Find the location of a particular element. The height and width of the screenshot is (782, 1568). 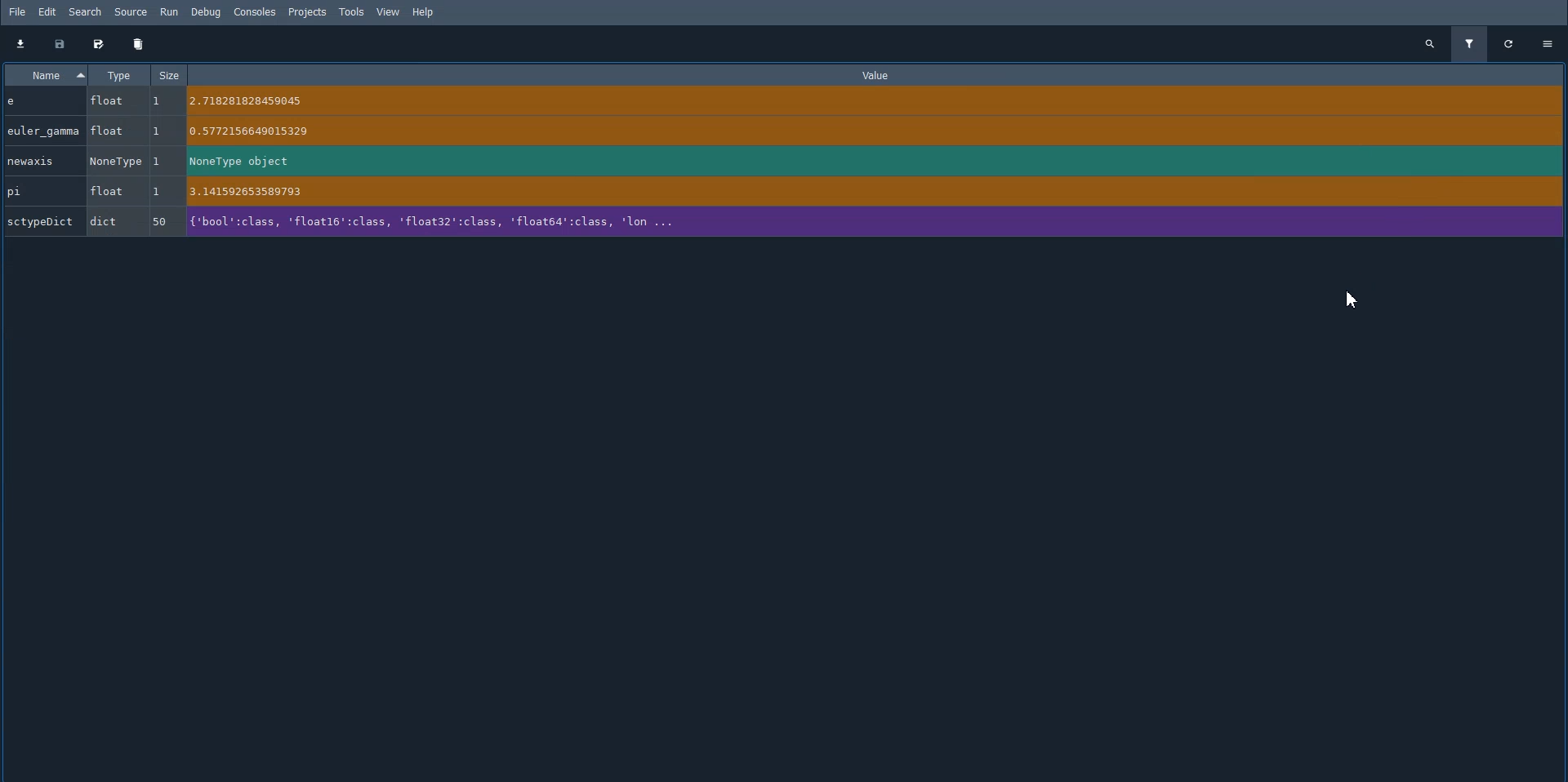

1 is located at coordinates (160, 193).